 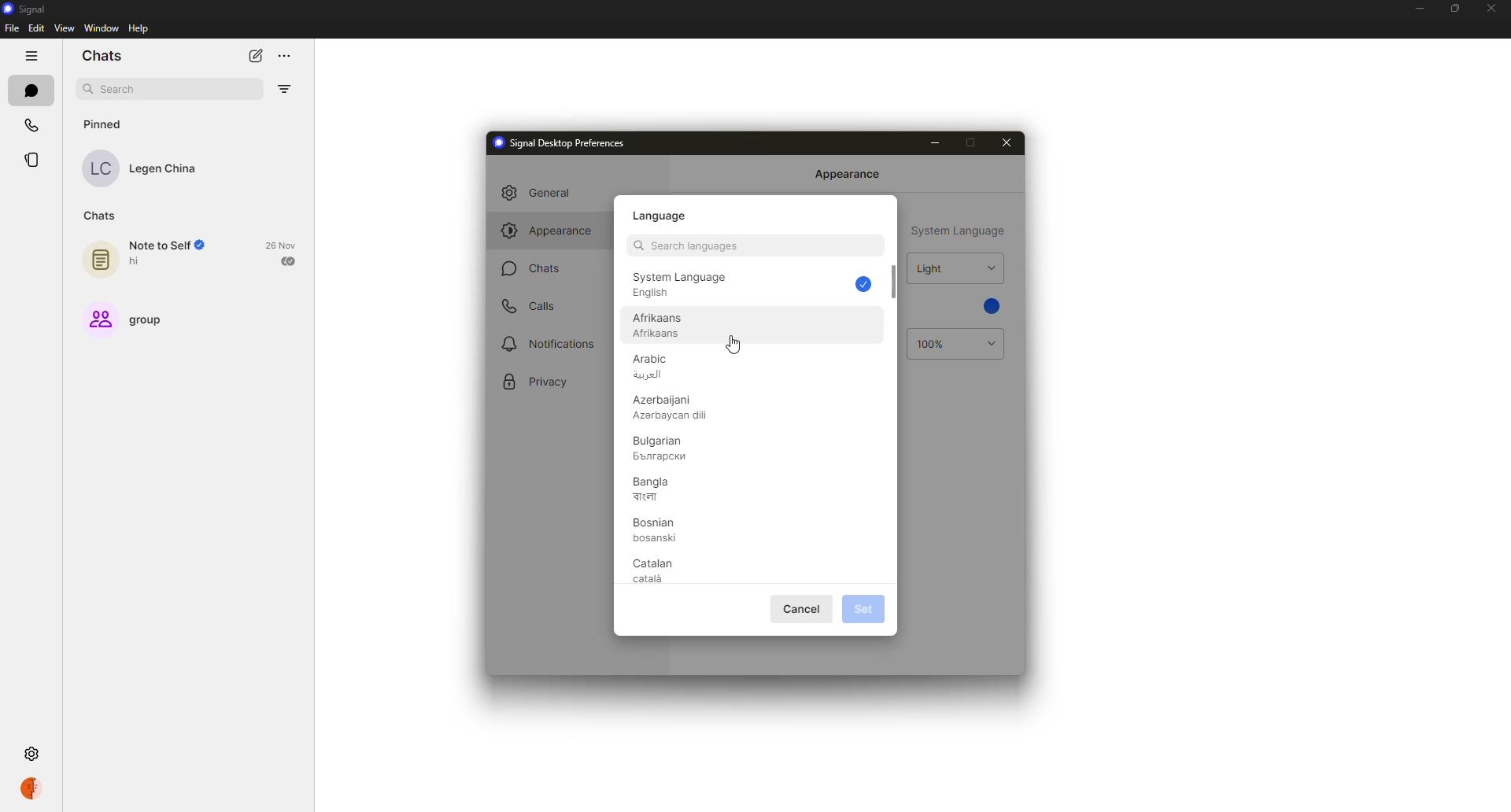 I want to click on search, so click(x=684, y=245).